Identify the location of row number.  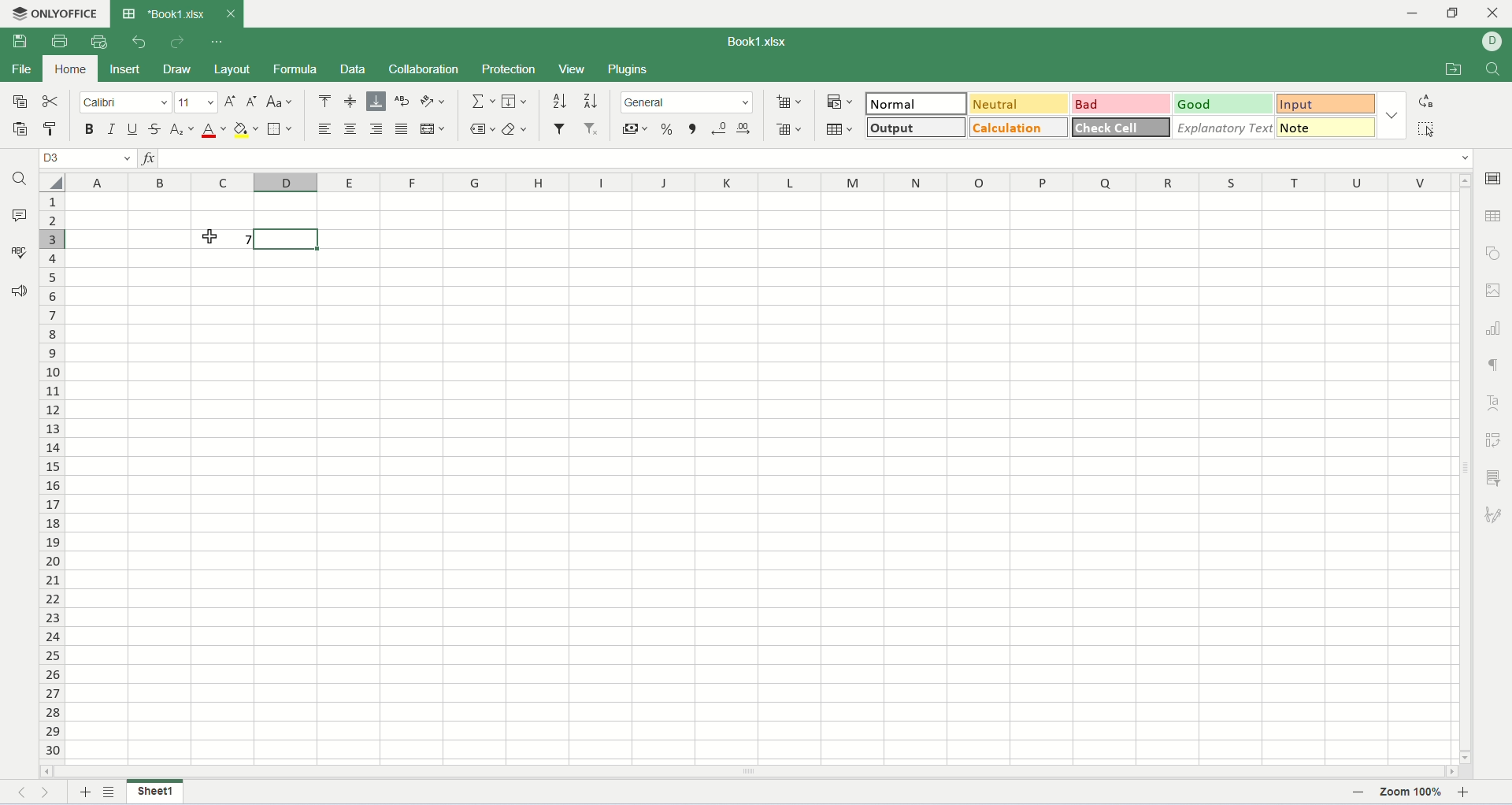
(51, 475).